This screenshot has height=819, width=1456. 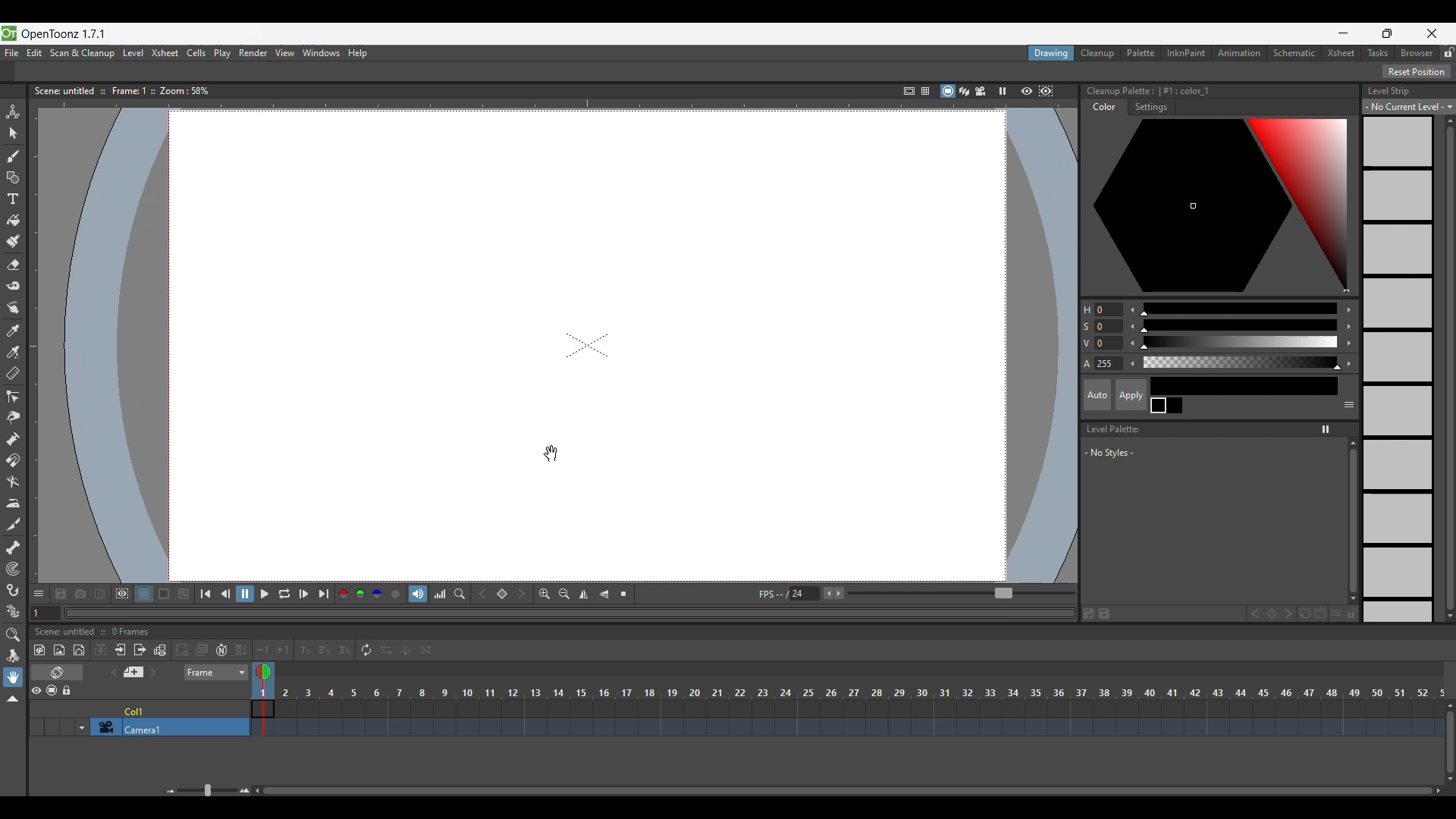 What do you see at coordinates (11, 686) in the screenshot?
I see `Cursor clicking on hand tool` at bounding box center [11, 686].